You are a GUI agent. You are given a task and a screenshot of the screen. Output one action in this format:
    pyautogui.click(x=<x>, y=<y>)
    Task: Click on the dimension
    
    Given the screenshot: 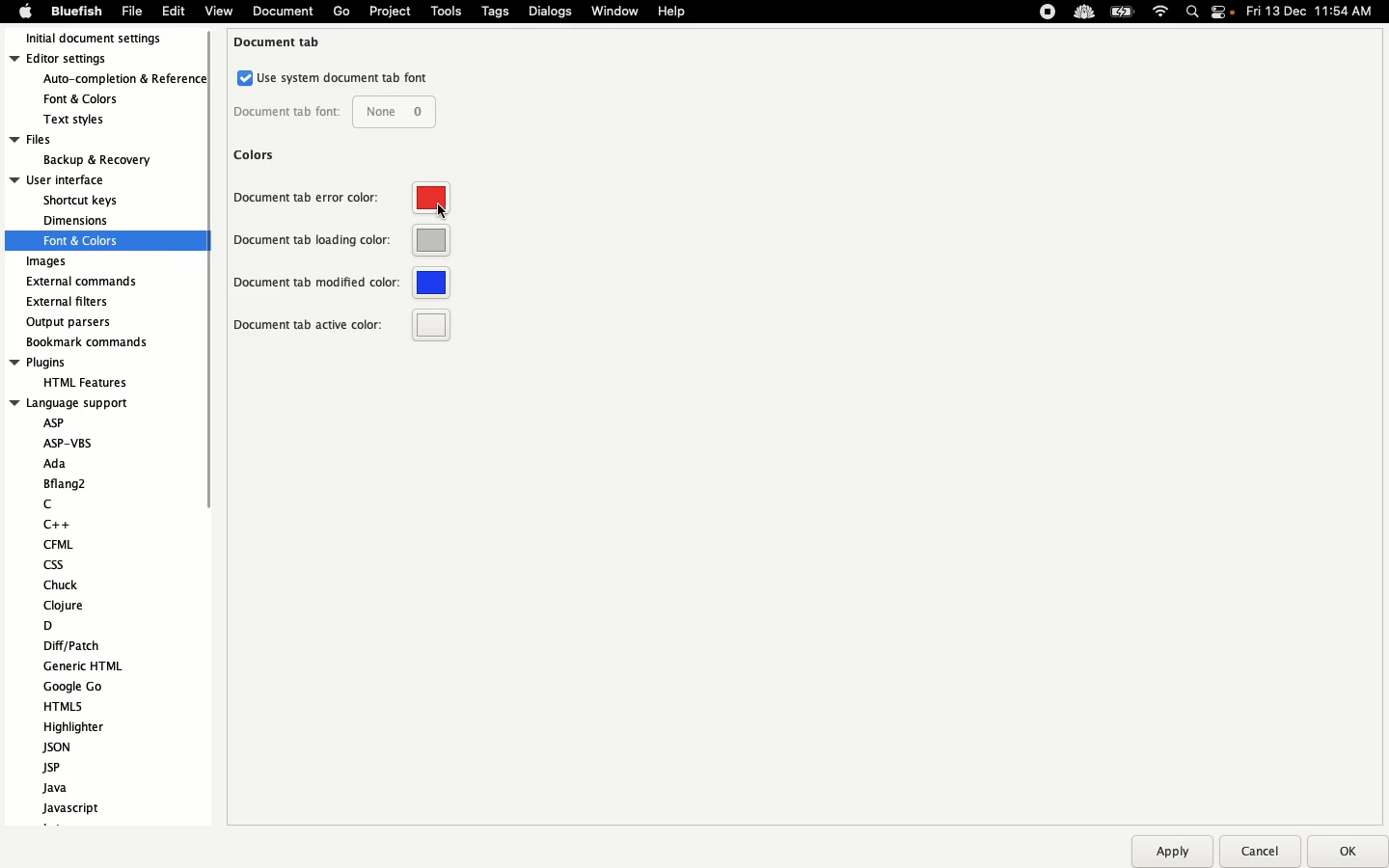 What is the action you would take?
    pyautogui.click(x=75, y=220)
    